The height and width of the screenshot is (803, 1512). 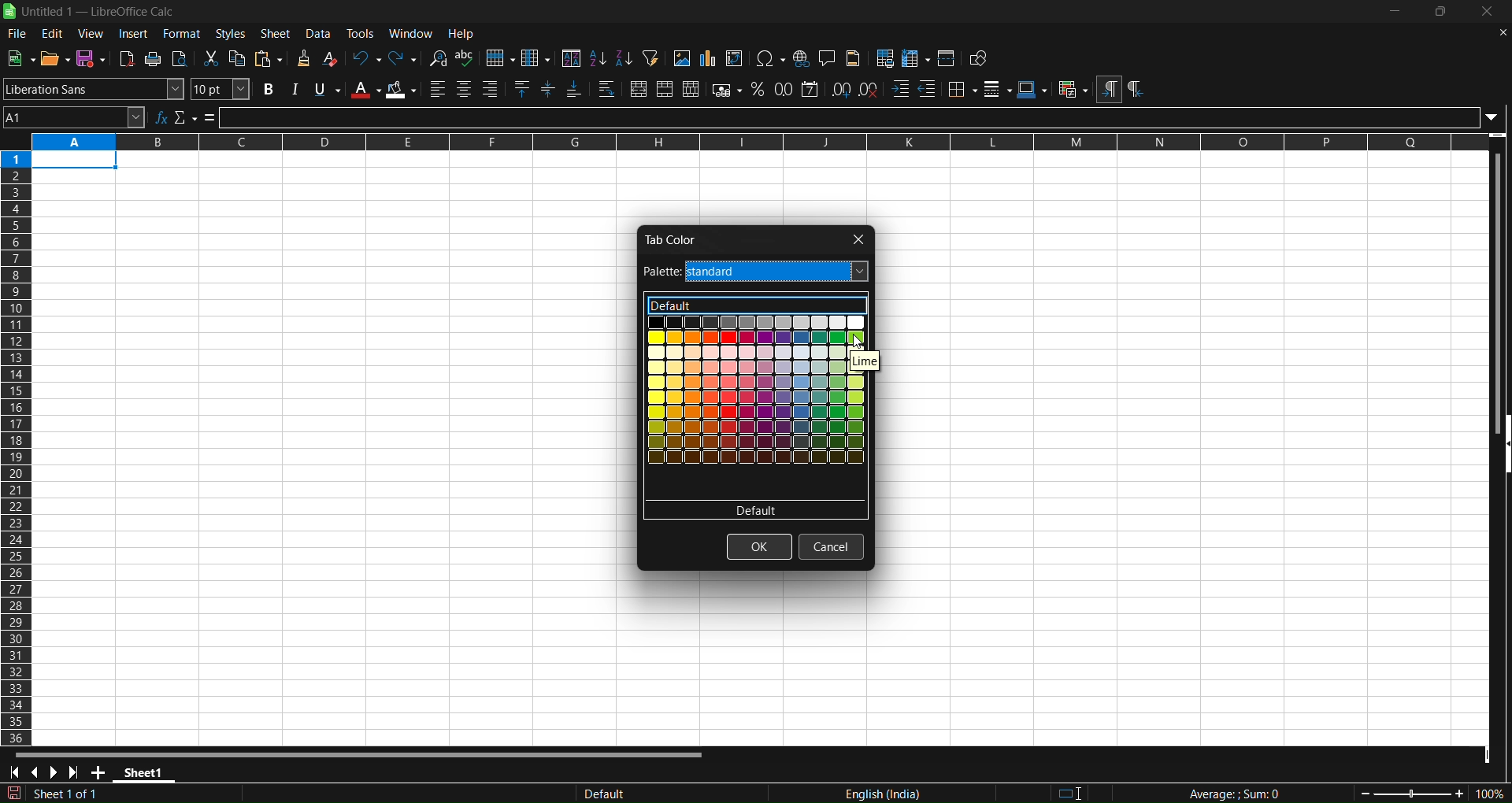 I want to click on auto filter, so click(x=650, y=57).